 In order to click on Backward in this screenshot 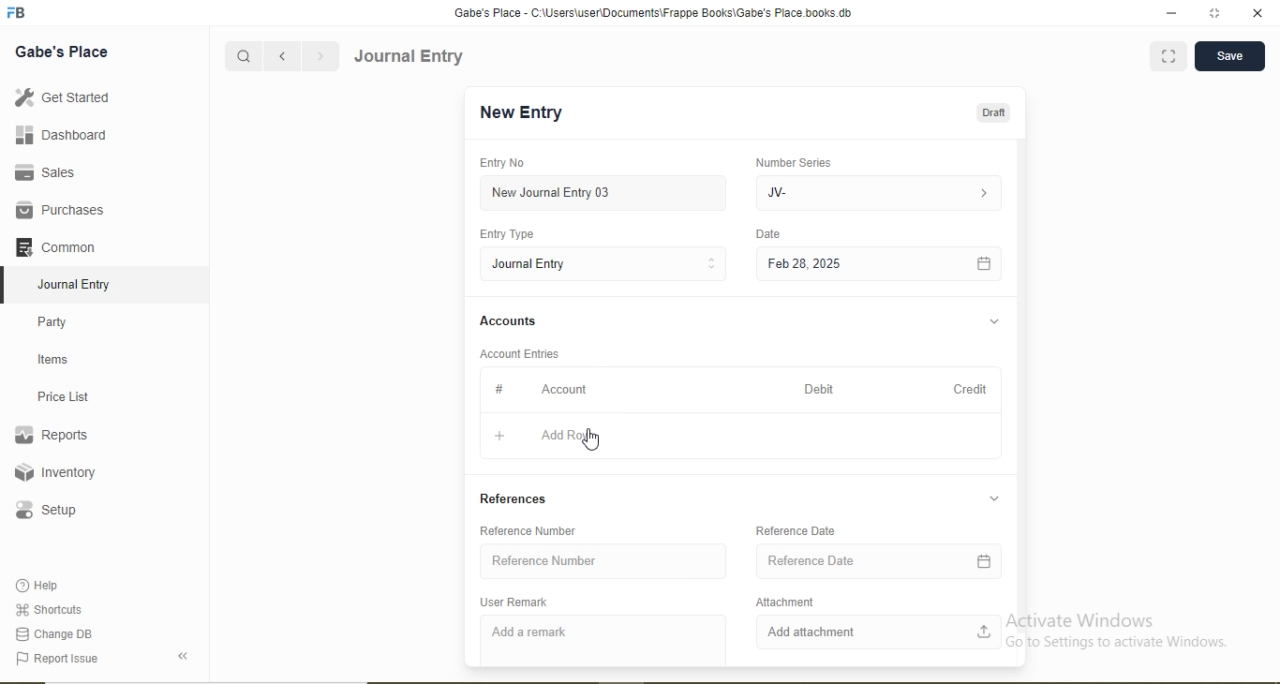, I will do `click(282, 57)`.